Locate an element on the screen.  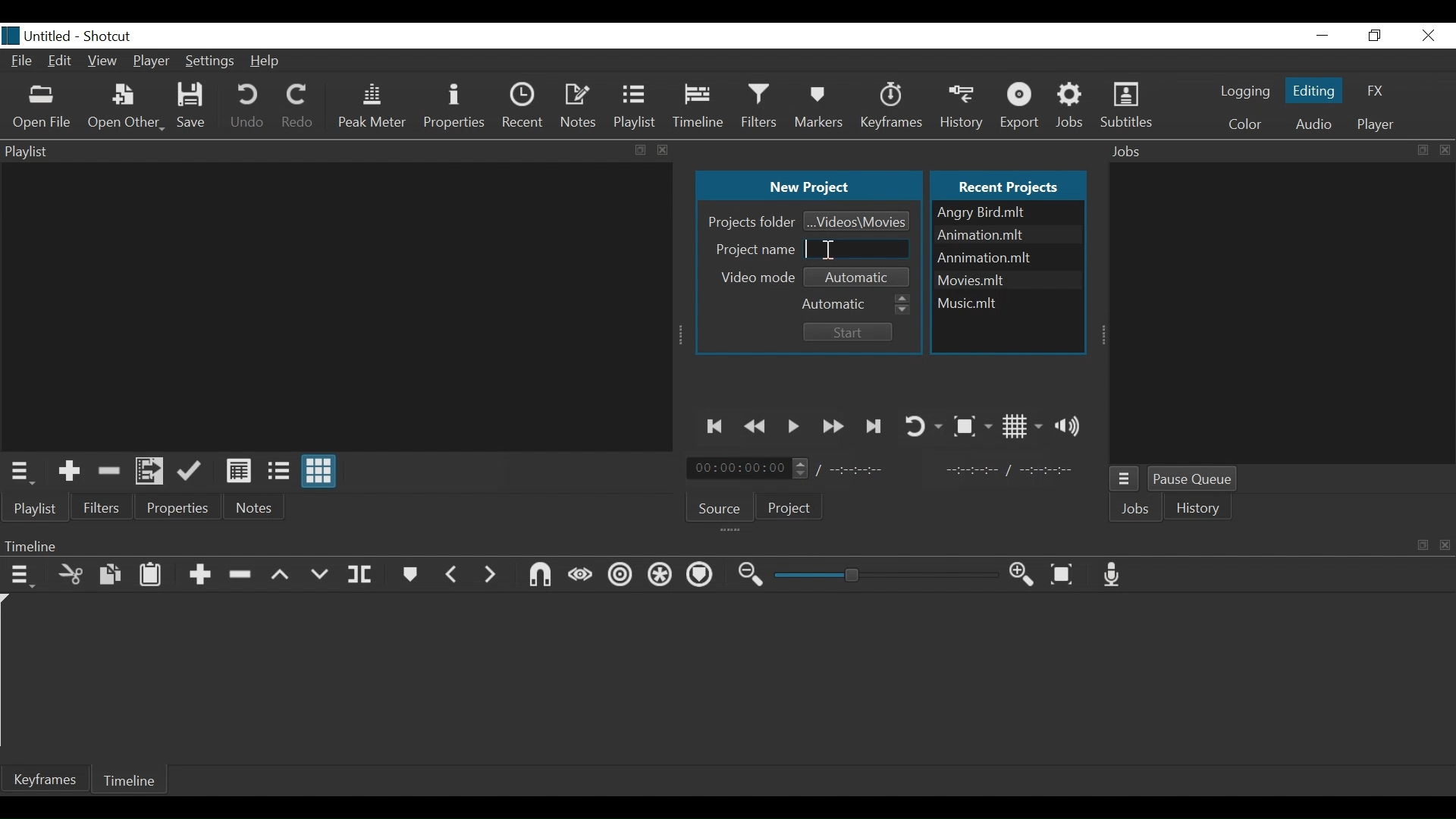
logging is located at coordinates (1244, 93).